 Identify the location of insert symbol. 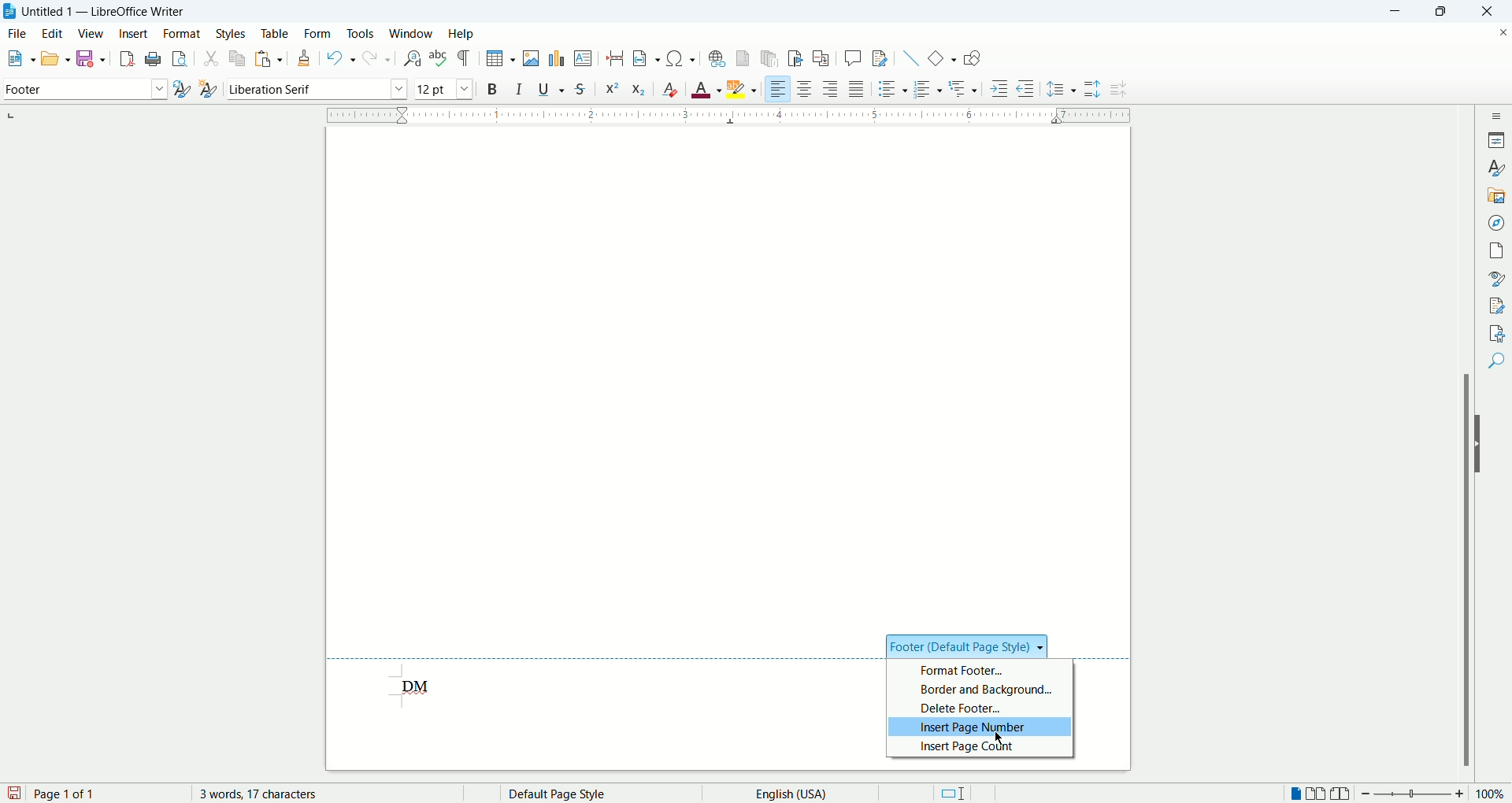
(681, 57).